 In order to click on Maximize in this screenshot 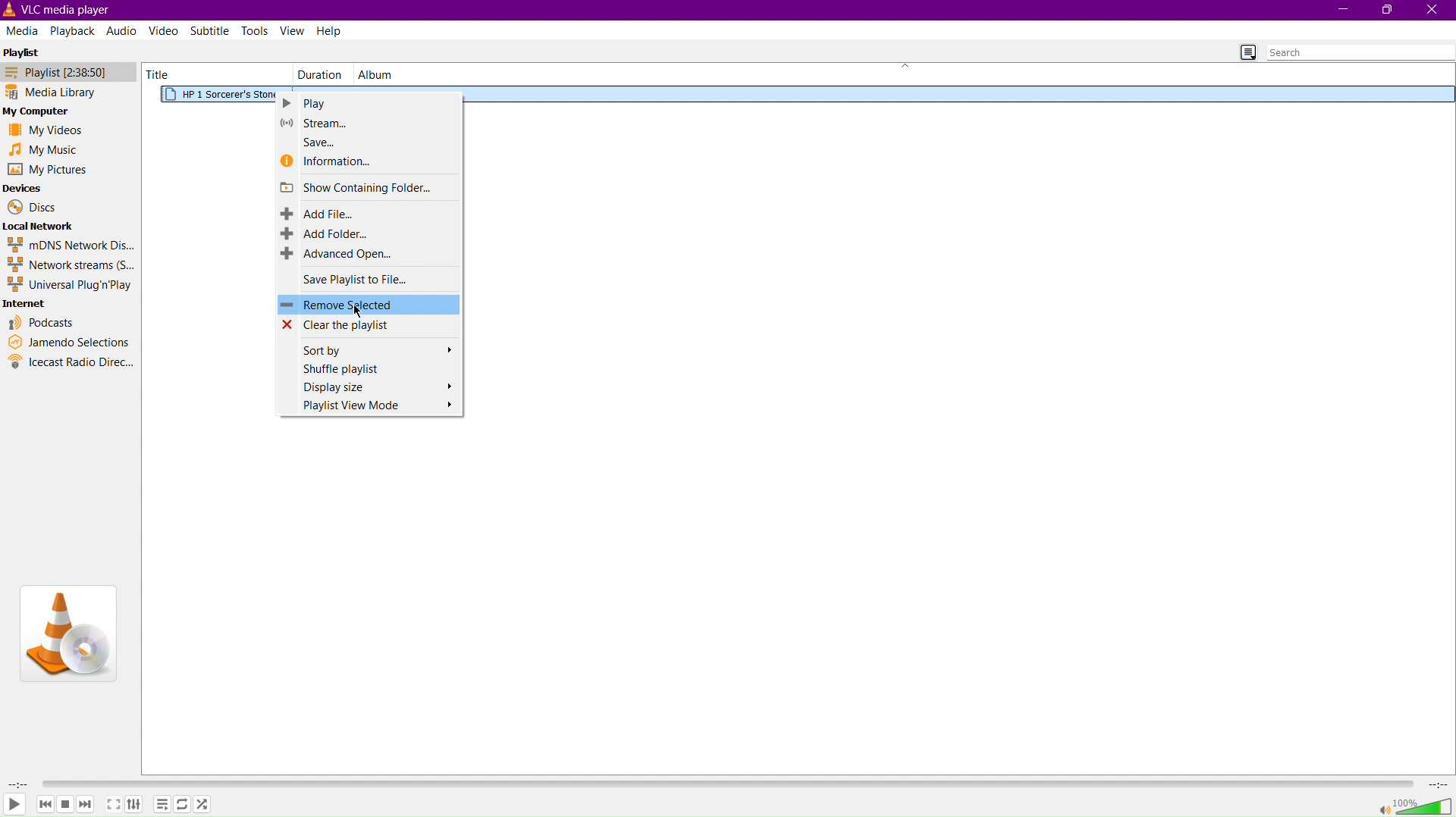, I will do `click(1389, 11)`.